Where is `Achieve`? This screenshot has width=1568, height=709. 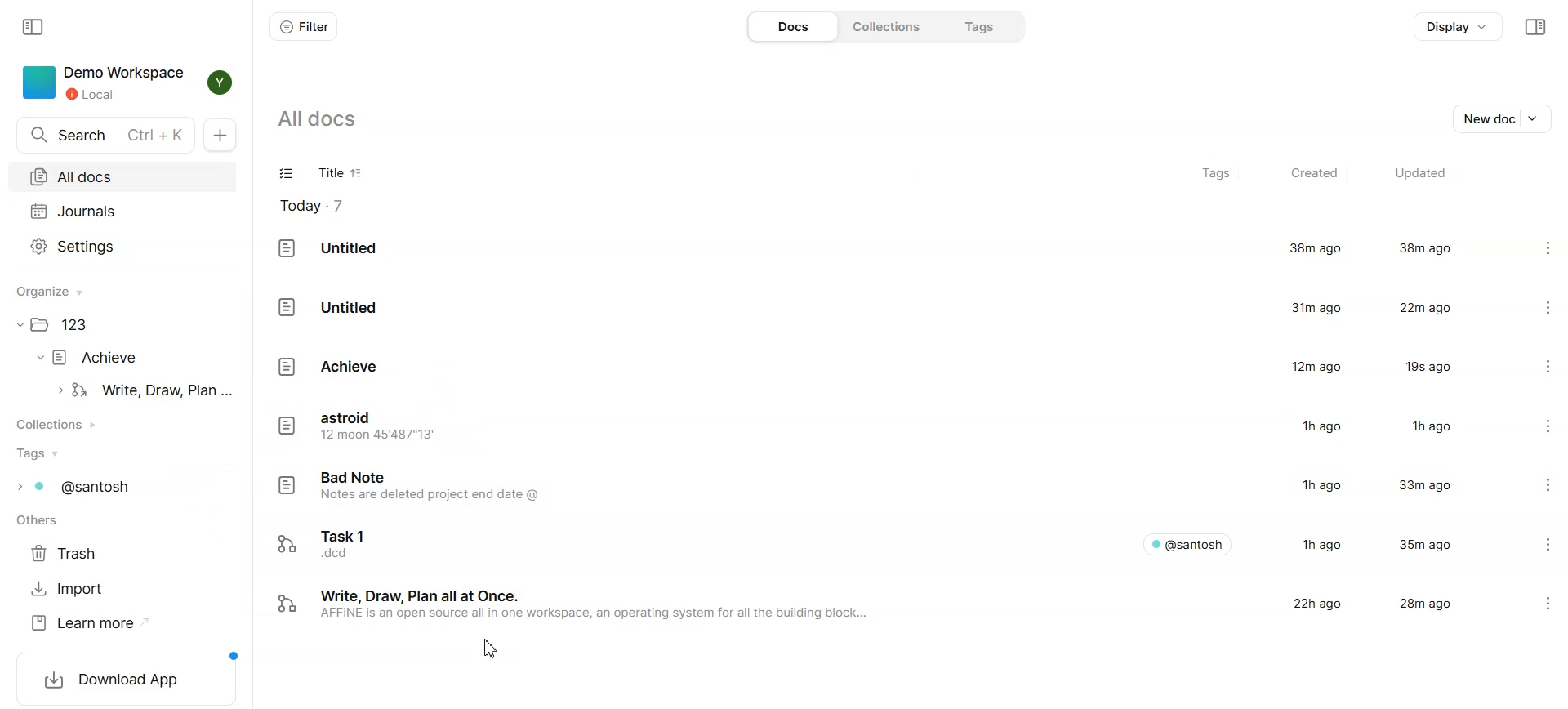
Achieve is located at coordinates (98, 357).